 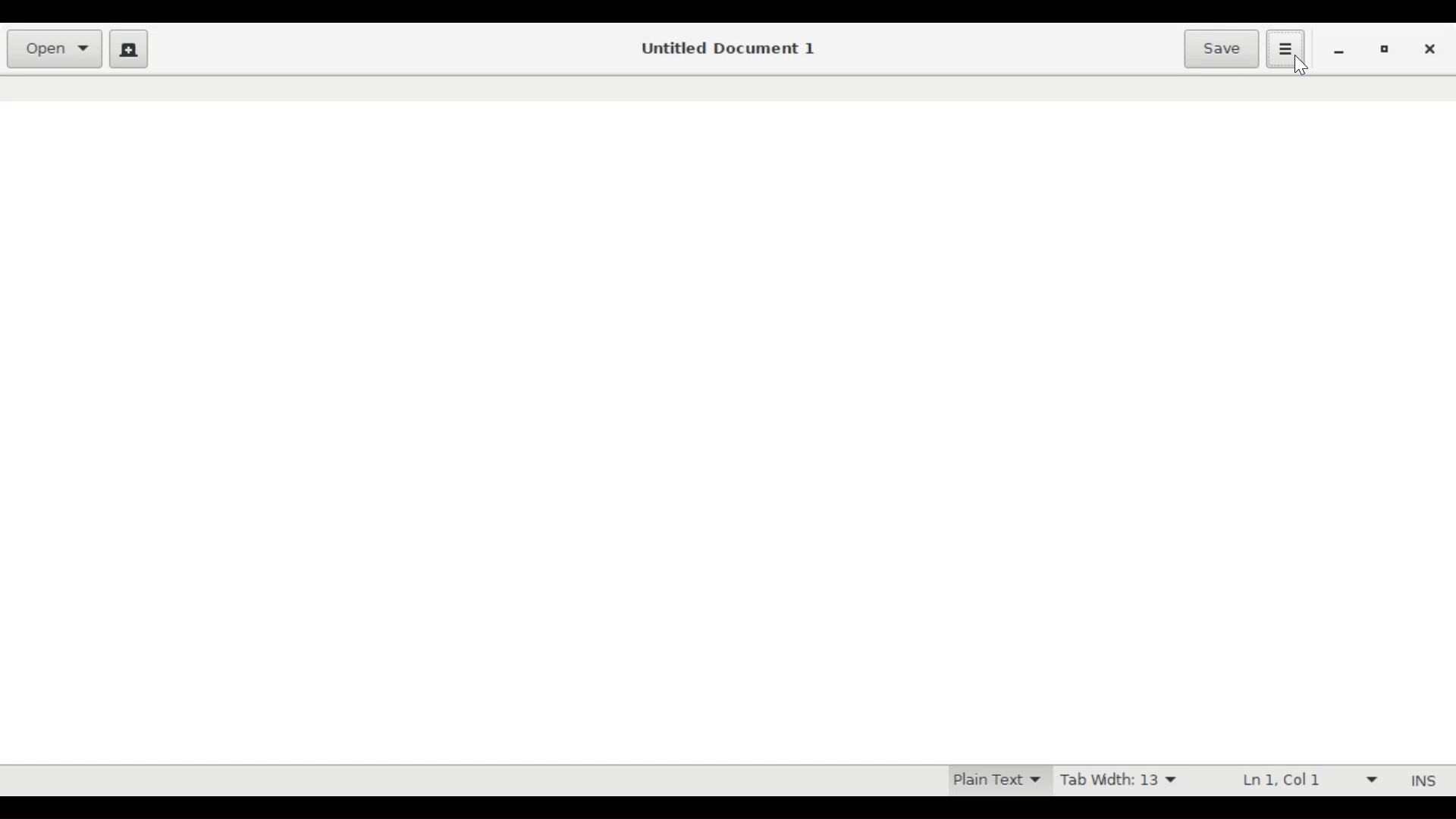 I want to click on Close, so click(x=1430, y=50).